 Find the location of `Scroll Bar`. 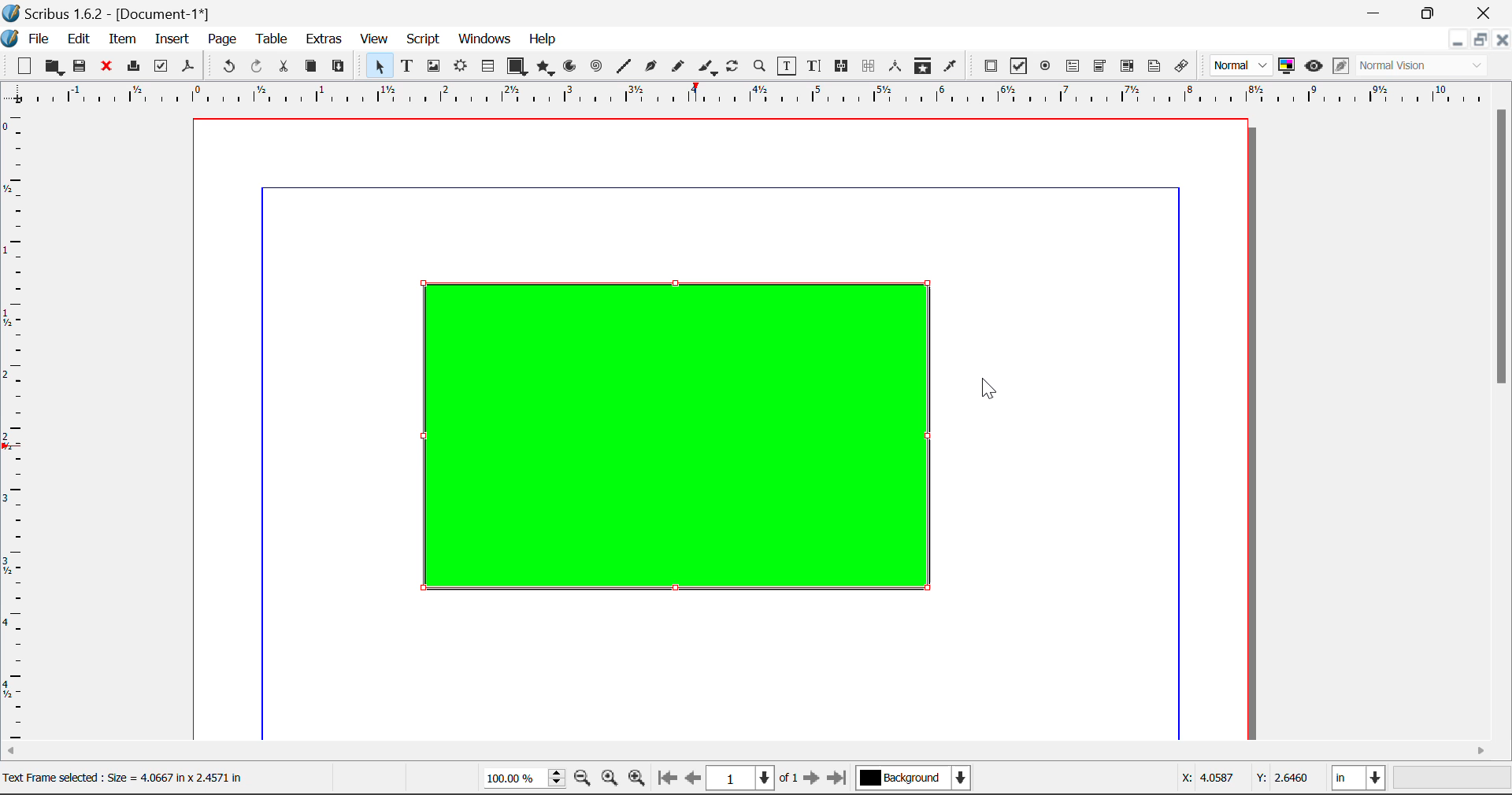

Scroll Bar is located at coordinates (757, 752).